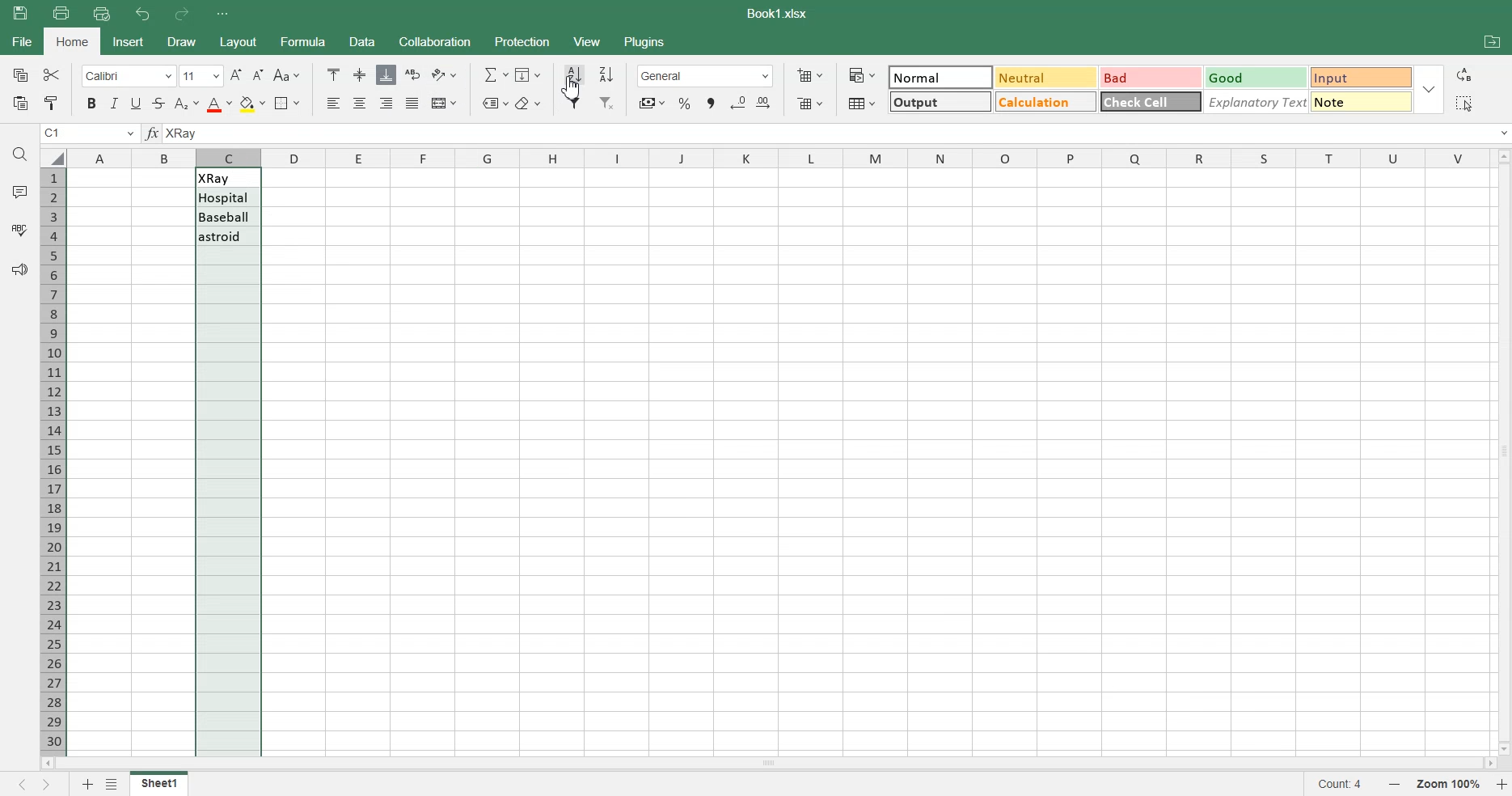 This screenshot has width=1512, height=796. What do you see at coordinates (861, 74) in the screenshot?
I see `Conditioning Format` at bounding box center [861, 74].